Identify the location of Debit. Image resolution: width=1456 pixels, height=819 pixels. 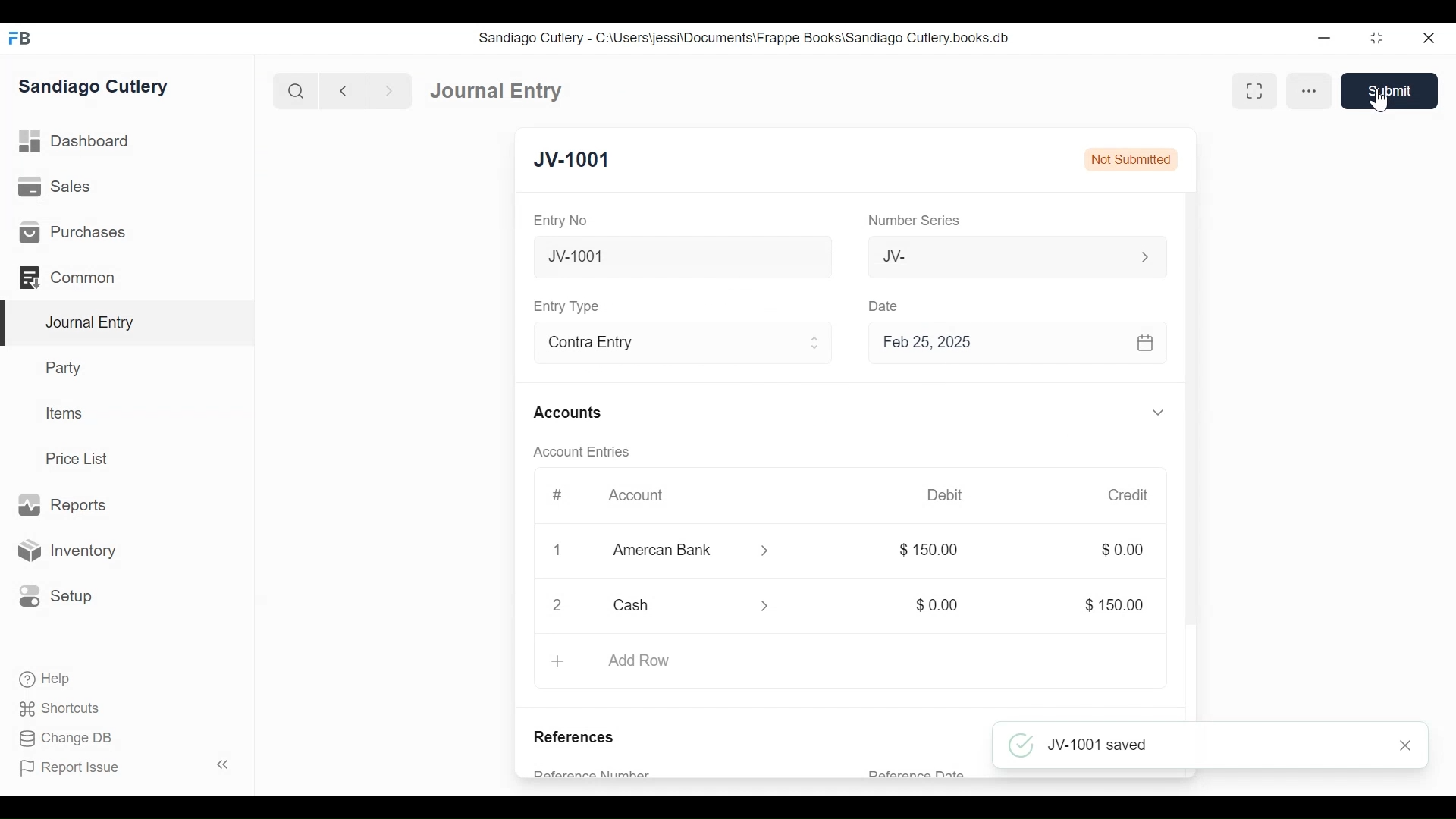
(945, 495).